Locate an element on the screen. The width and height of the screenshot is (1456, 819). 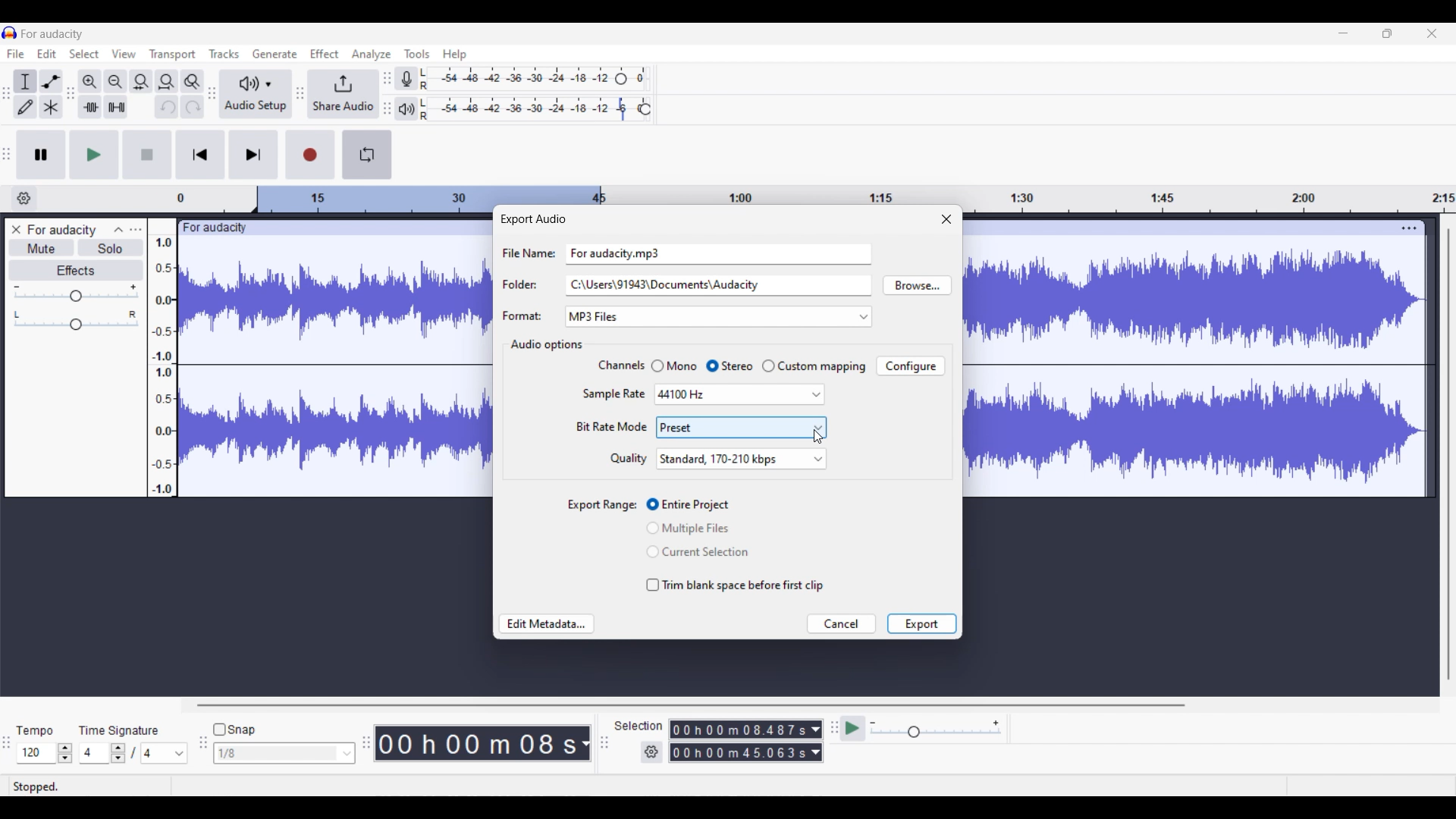
Project name - For audacity is located at coordinates (53, 34).